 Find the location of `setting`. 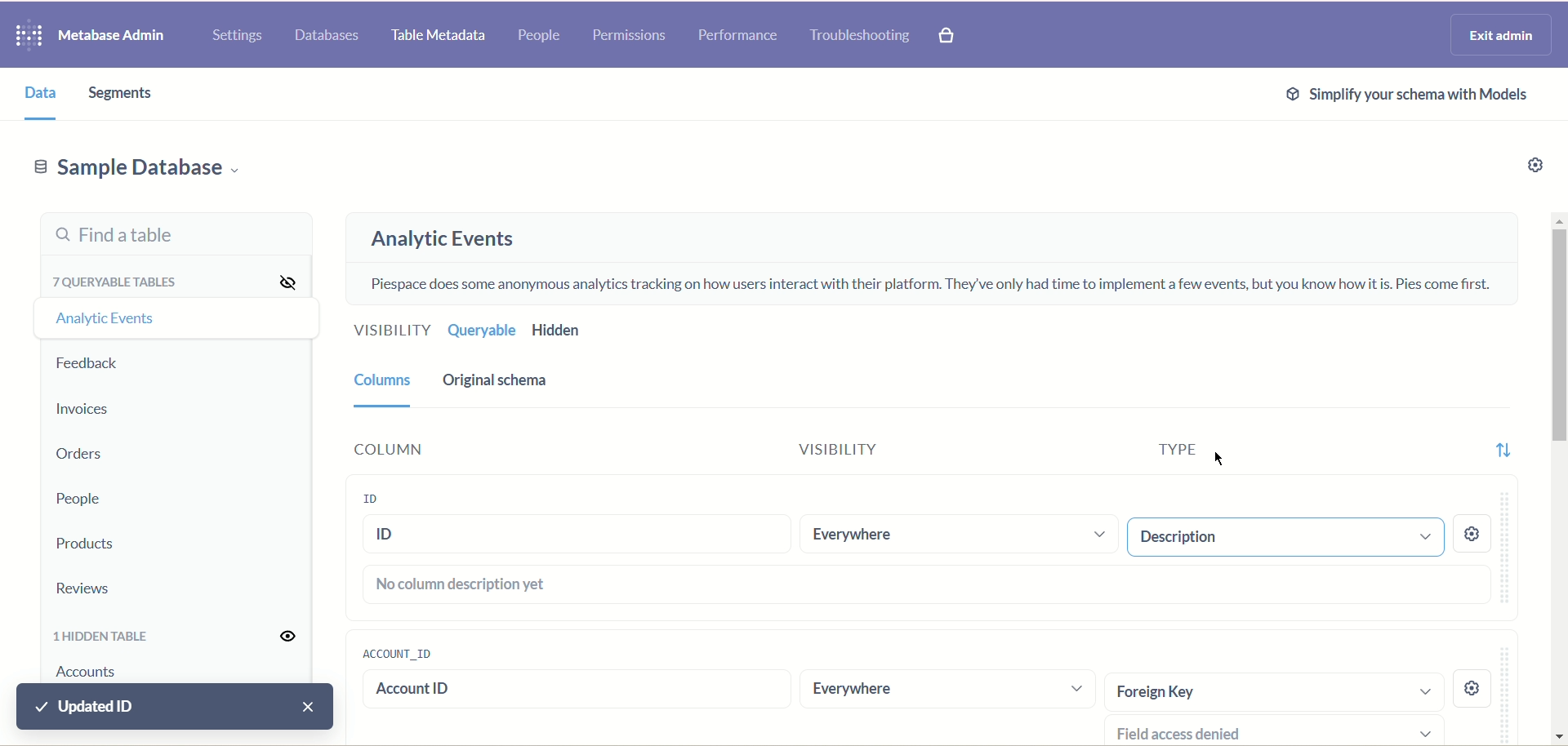

setting is located at coordinates (1473, 689).